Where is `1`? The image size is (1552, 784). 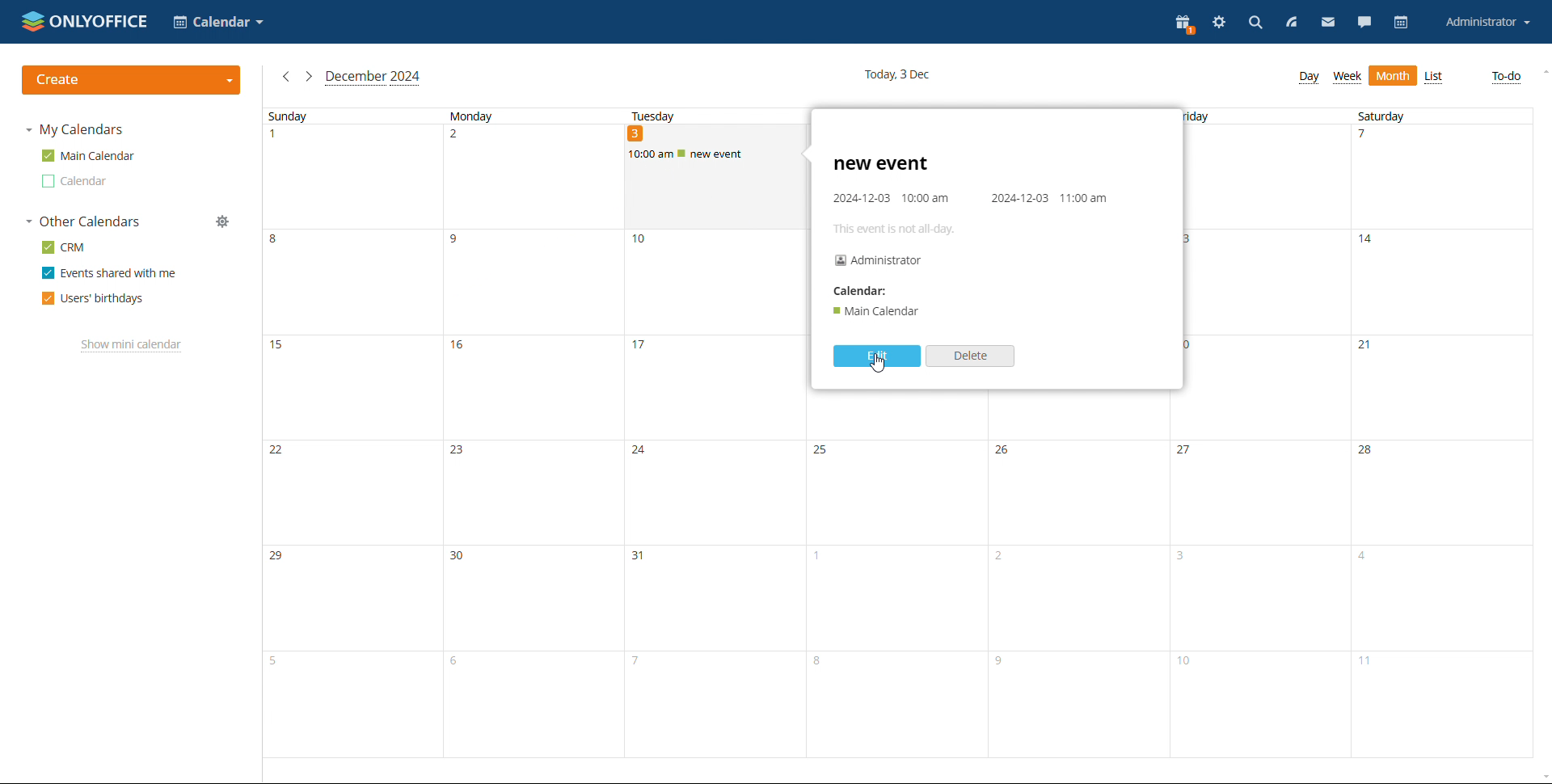
1 is located at coordinates (351, 177).